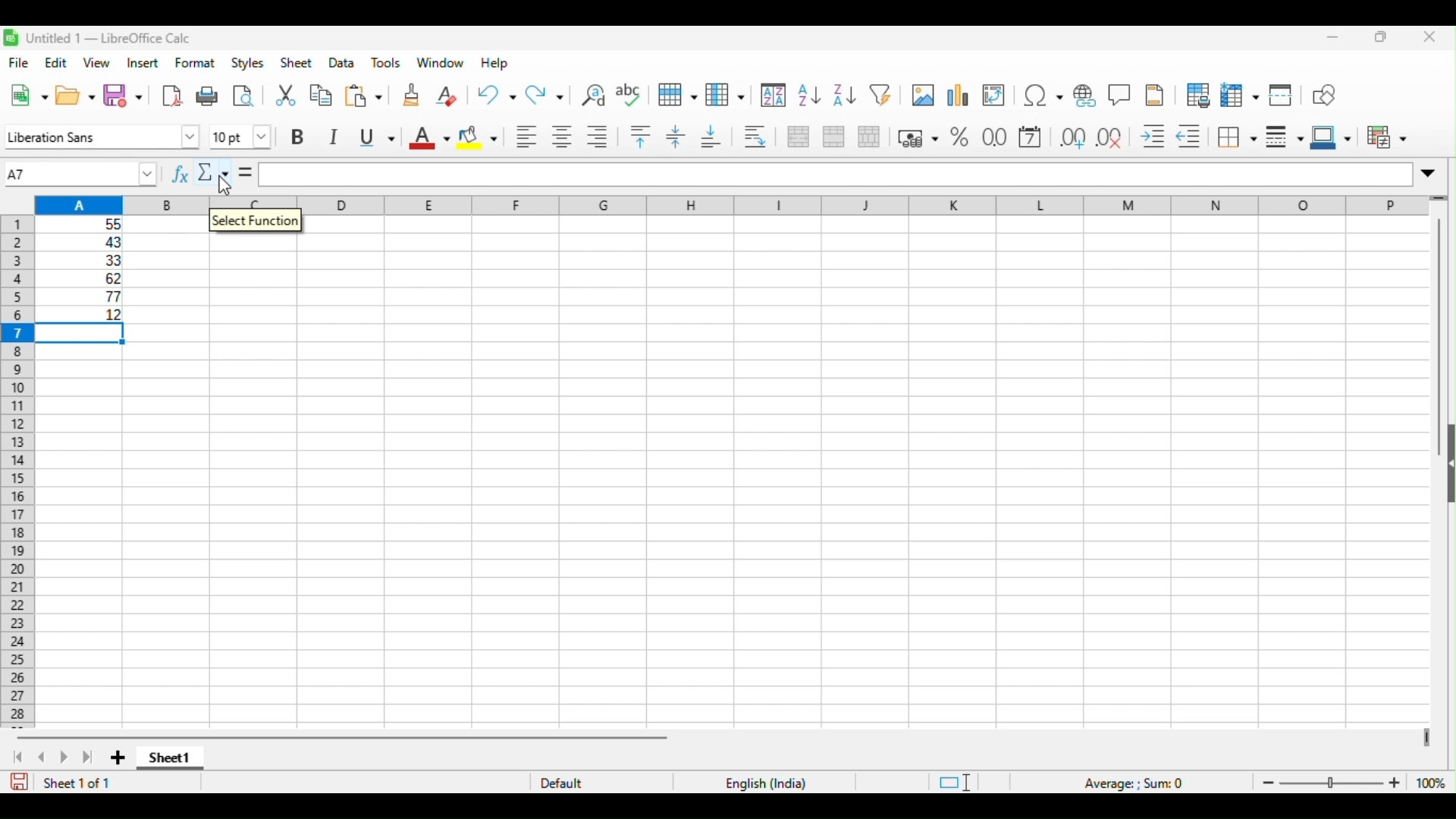  Describe the element at coordinates (494, 96) in the screenshot. I see `undo` at that location.